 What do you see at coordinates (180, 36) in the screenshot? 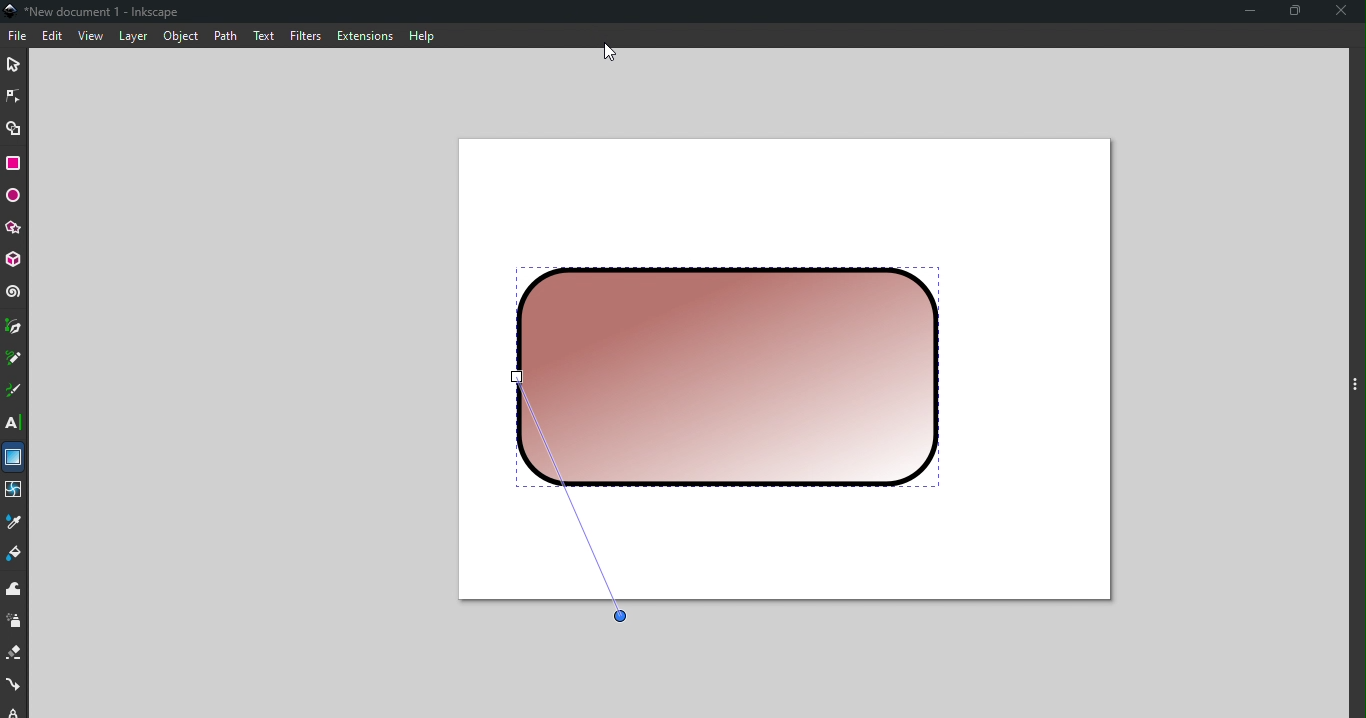
I see `Object` at bounding box center [180, 36].